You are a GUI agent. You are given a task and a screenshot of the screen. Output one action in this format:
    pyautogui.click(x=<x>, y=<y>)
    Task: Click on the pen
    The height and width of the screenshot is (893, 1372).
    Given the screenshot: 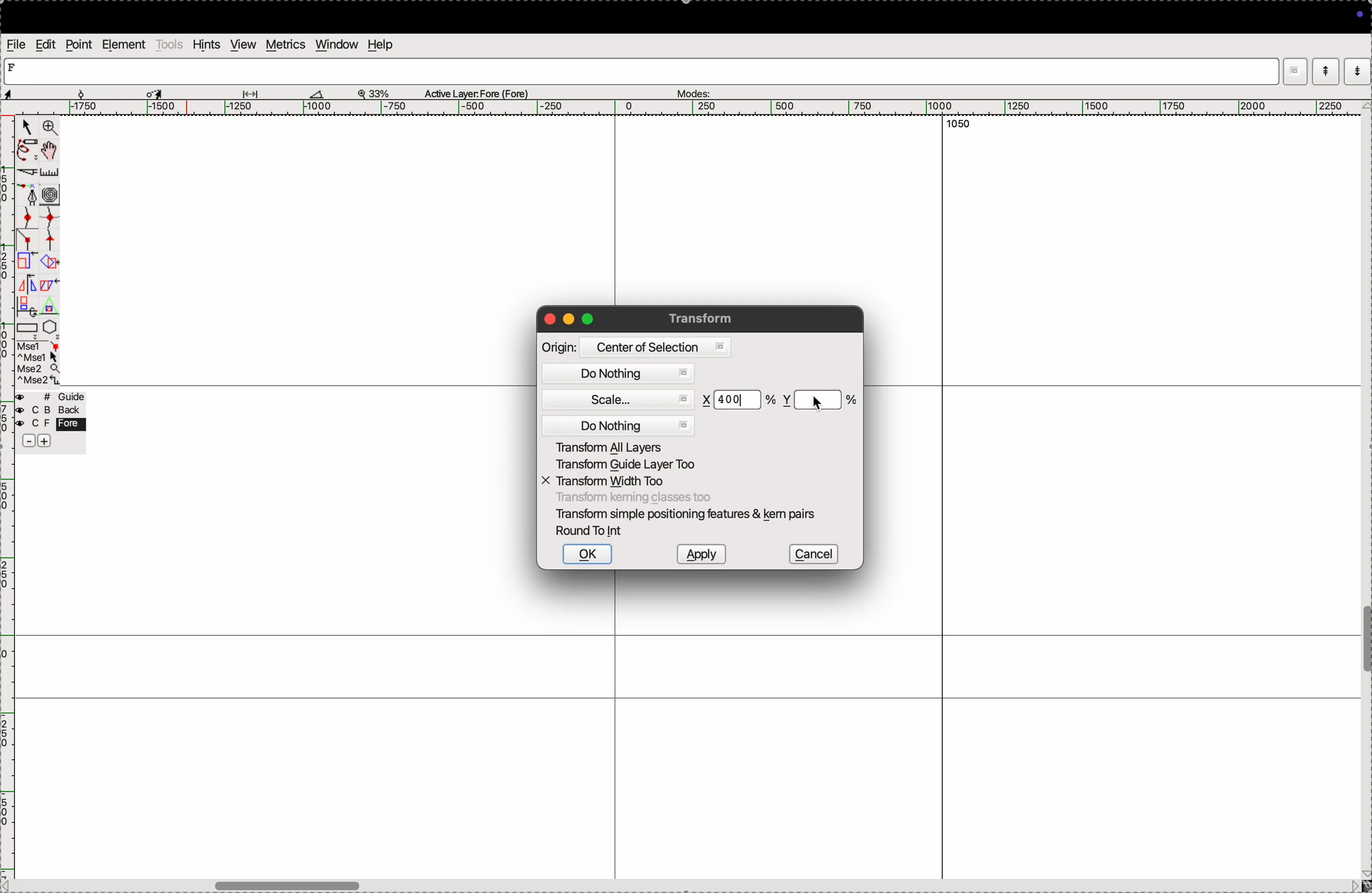 What is the action you would take?
    pyautogui.click(x=25, y=152)
    